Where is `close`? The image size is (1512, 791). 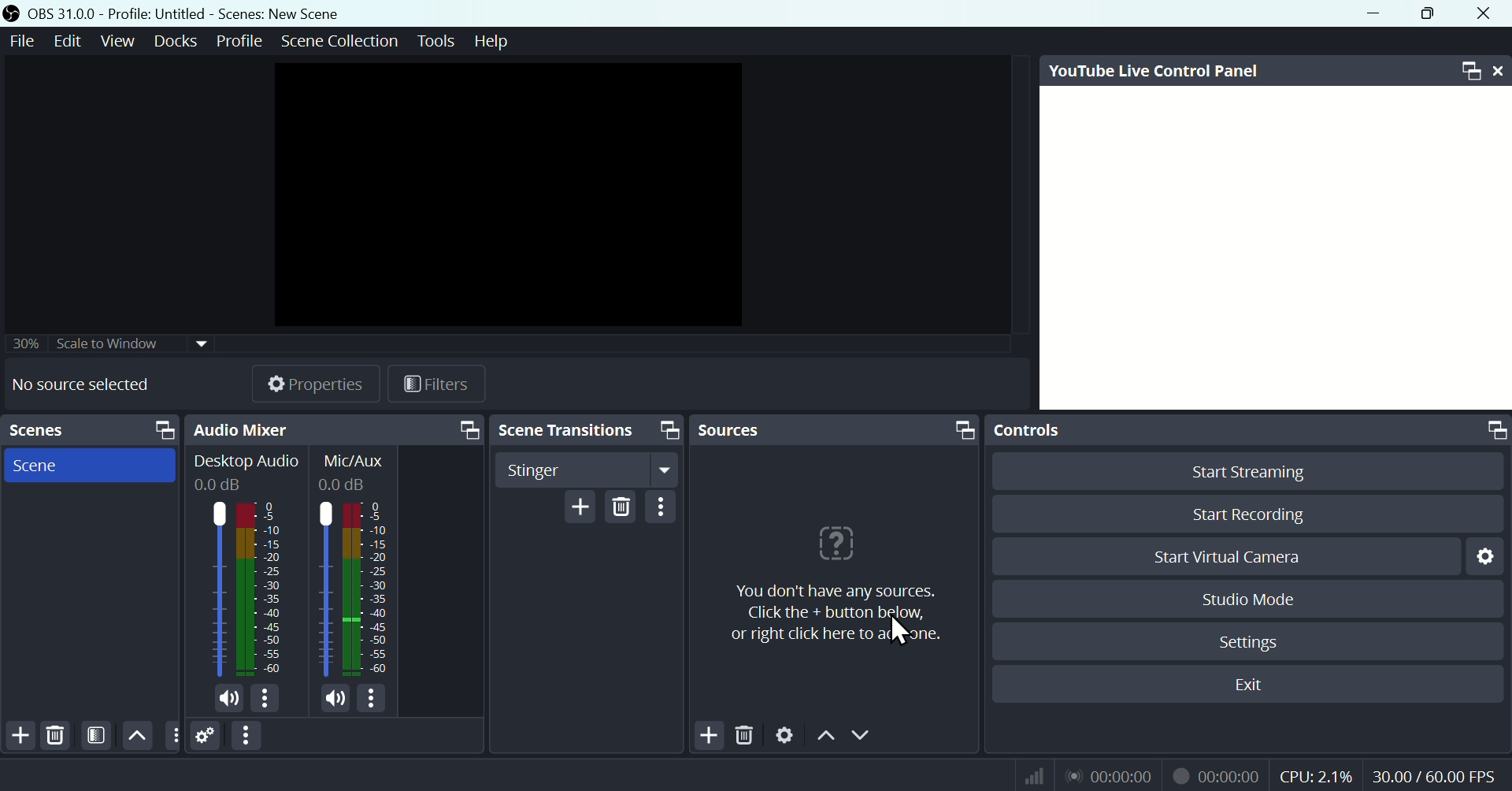 close is located at coordinates (1487, 13).